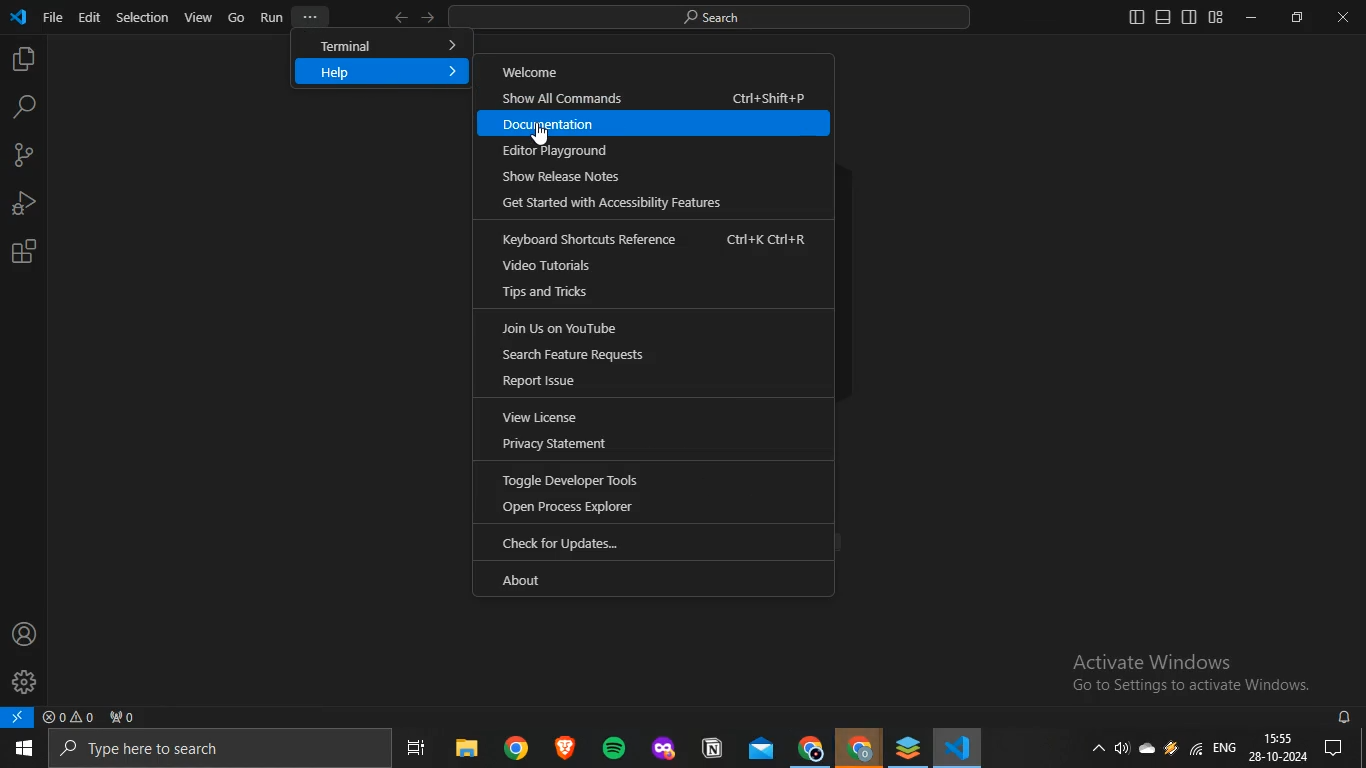  Describe the element at coordinates (1195, 750) in the screenshot. I see `wifi` at that location.